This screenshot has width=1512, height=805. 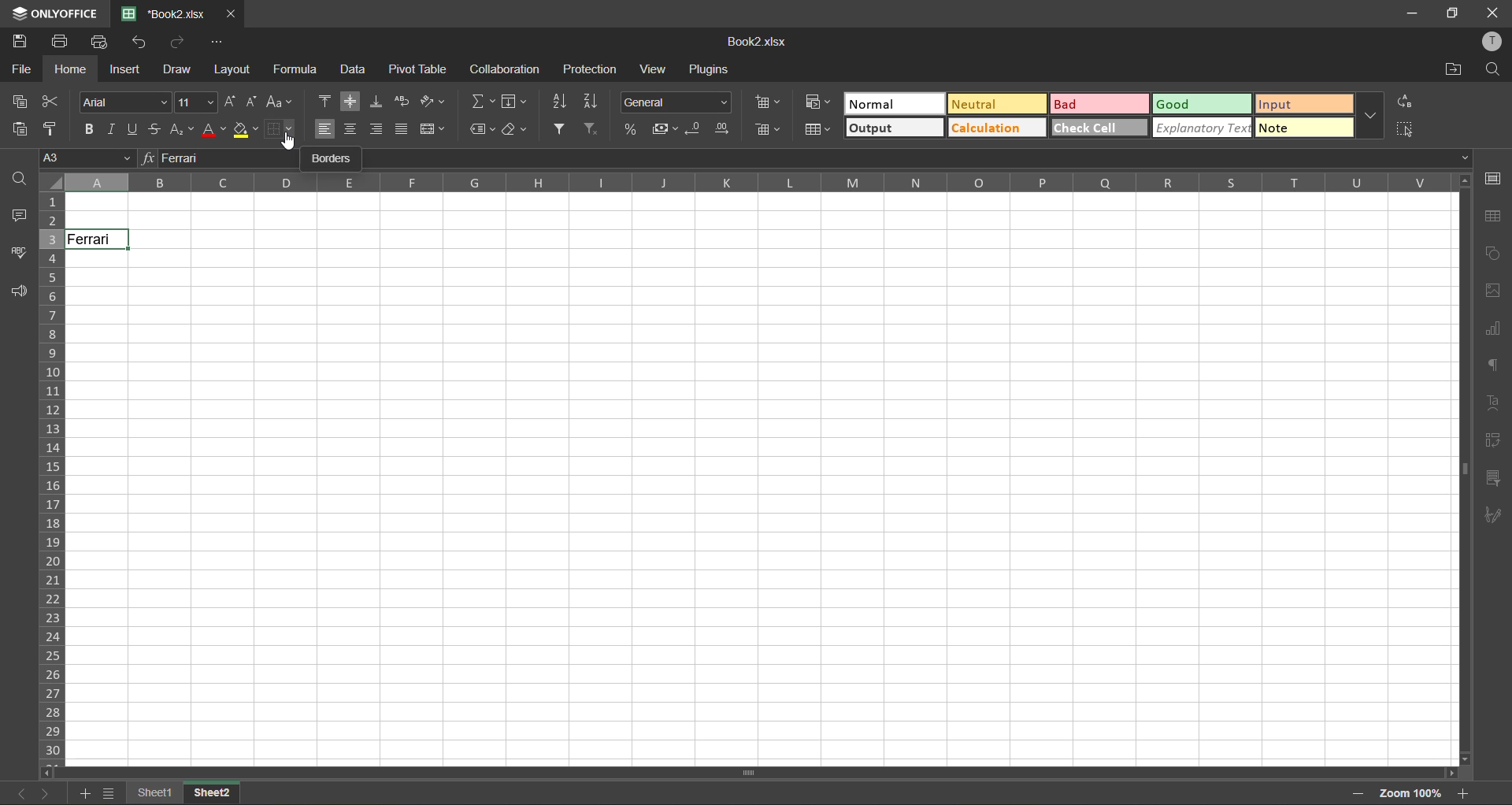 I want to click on percent, so click(x=632, y=128).